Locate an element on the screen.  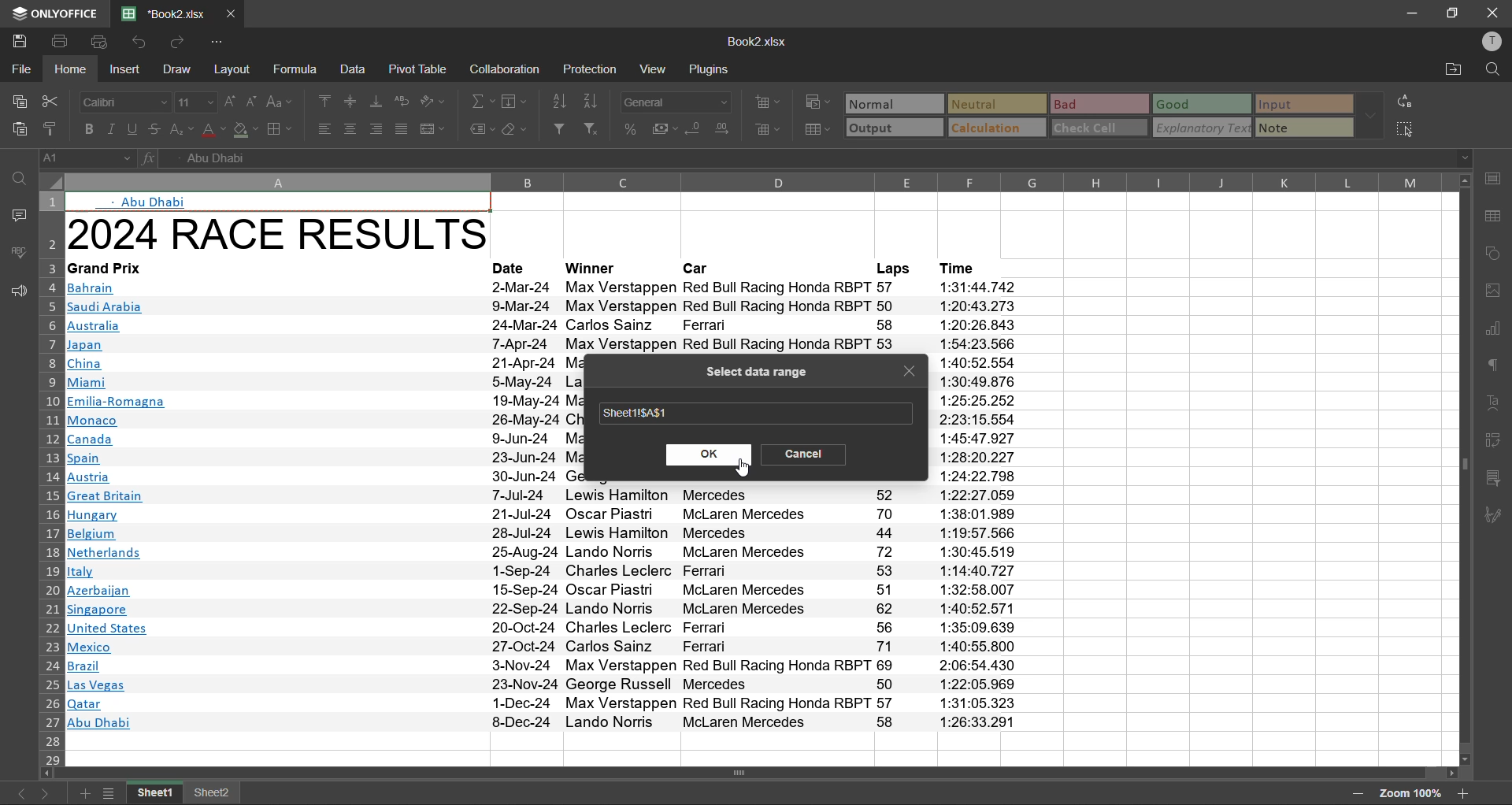
sub/superscript is located at coordinates (180, 130).